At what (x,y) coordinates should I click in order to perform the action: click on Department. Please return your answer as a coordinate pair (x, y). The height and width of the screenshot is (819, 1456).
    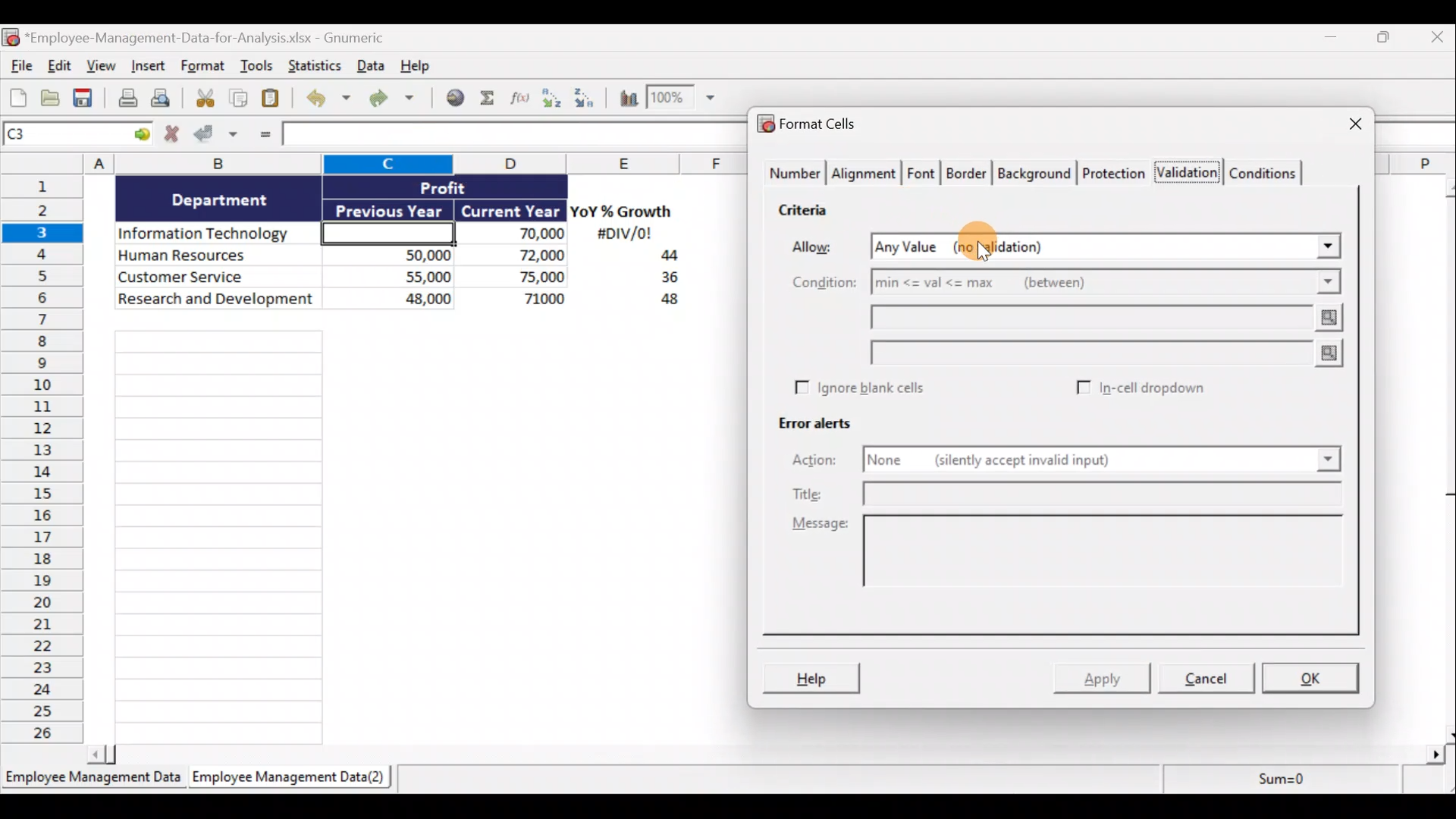
    Looking at the image, I should click on (220, 199).